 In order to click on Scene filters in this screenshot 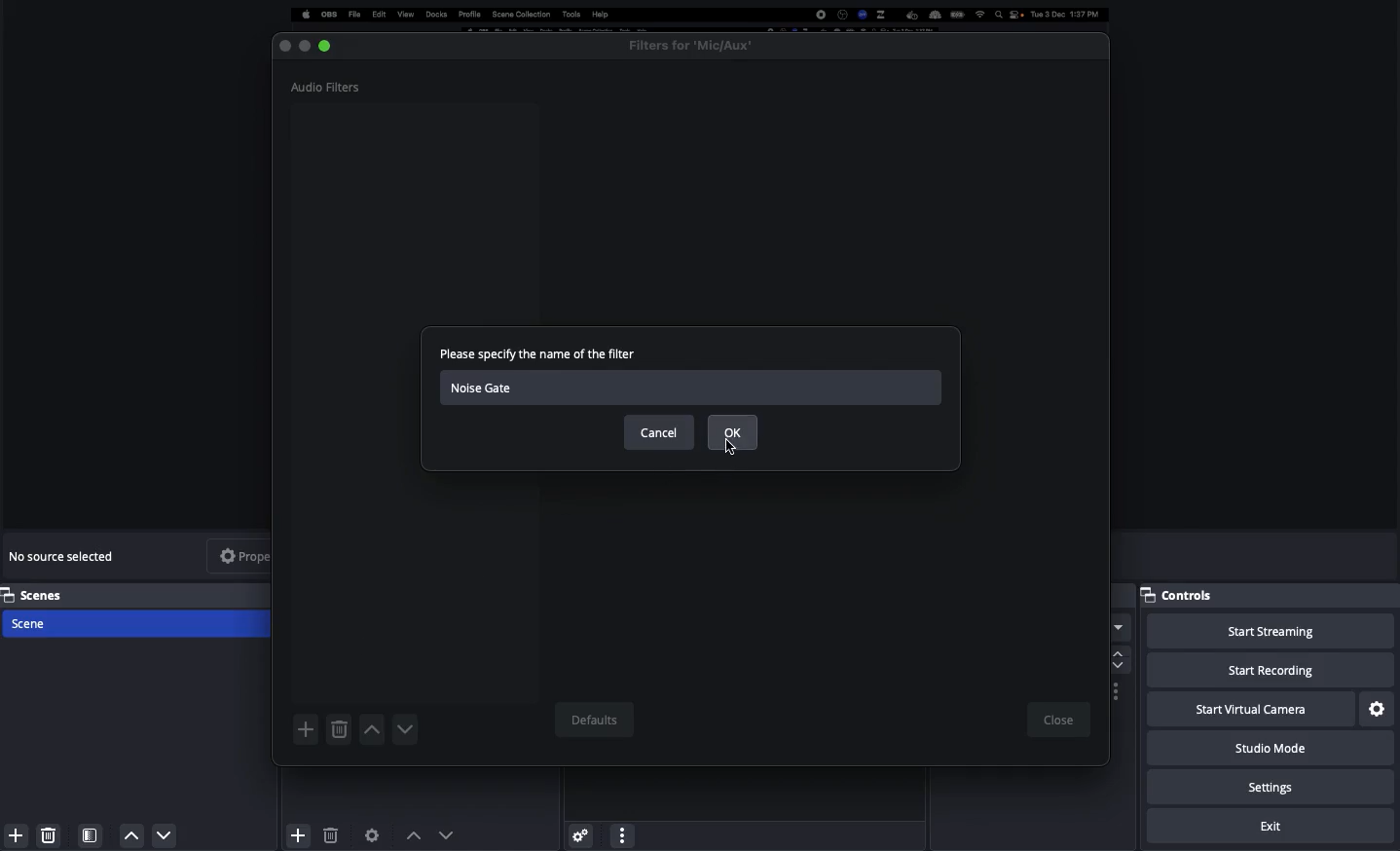, I will do `click(91, 832)`.